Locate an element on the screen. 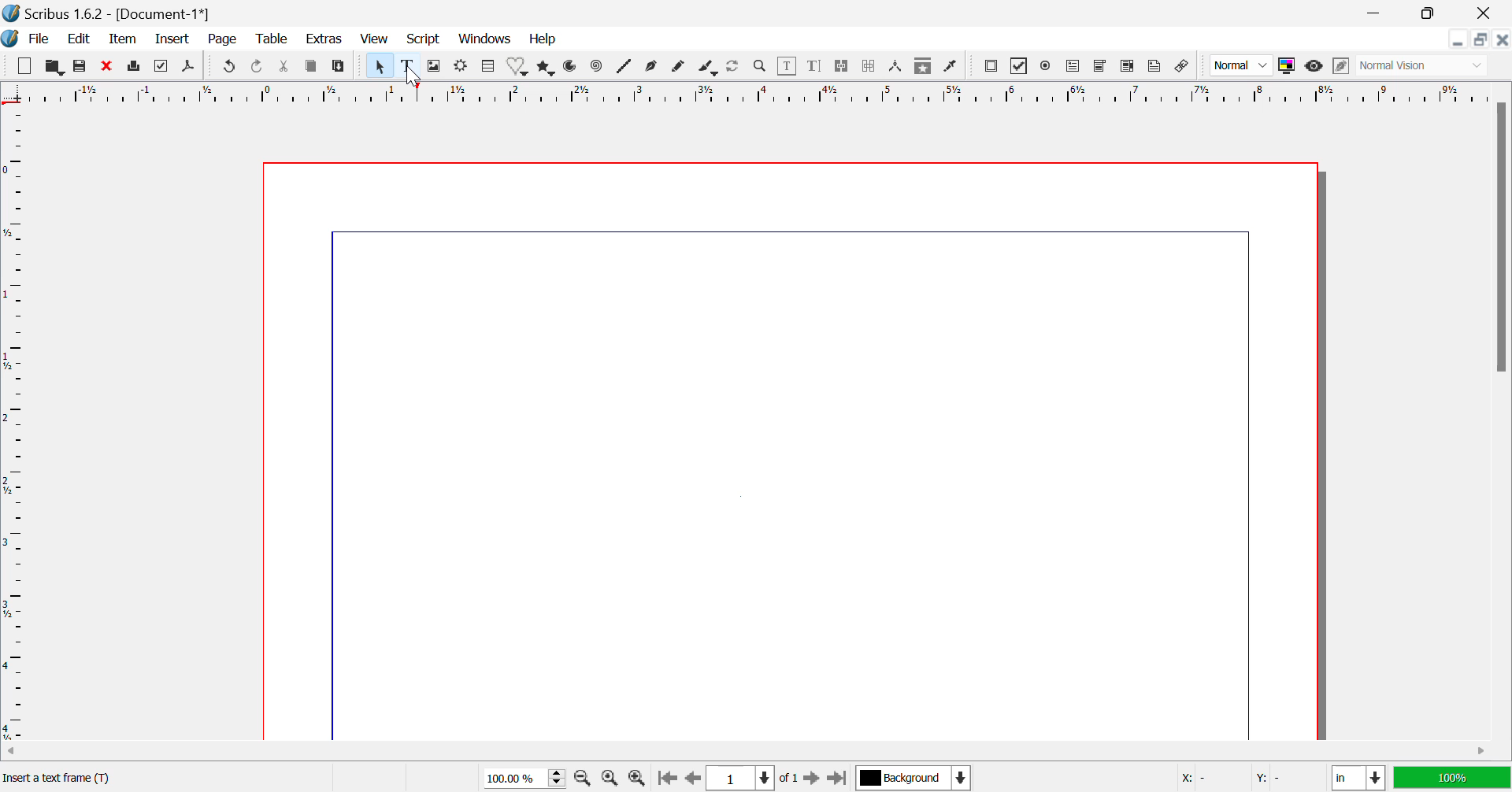 The height and width of the screenshot is (792, 1512). Normal is located at coordinates (1241, 68).